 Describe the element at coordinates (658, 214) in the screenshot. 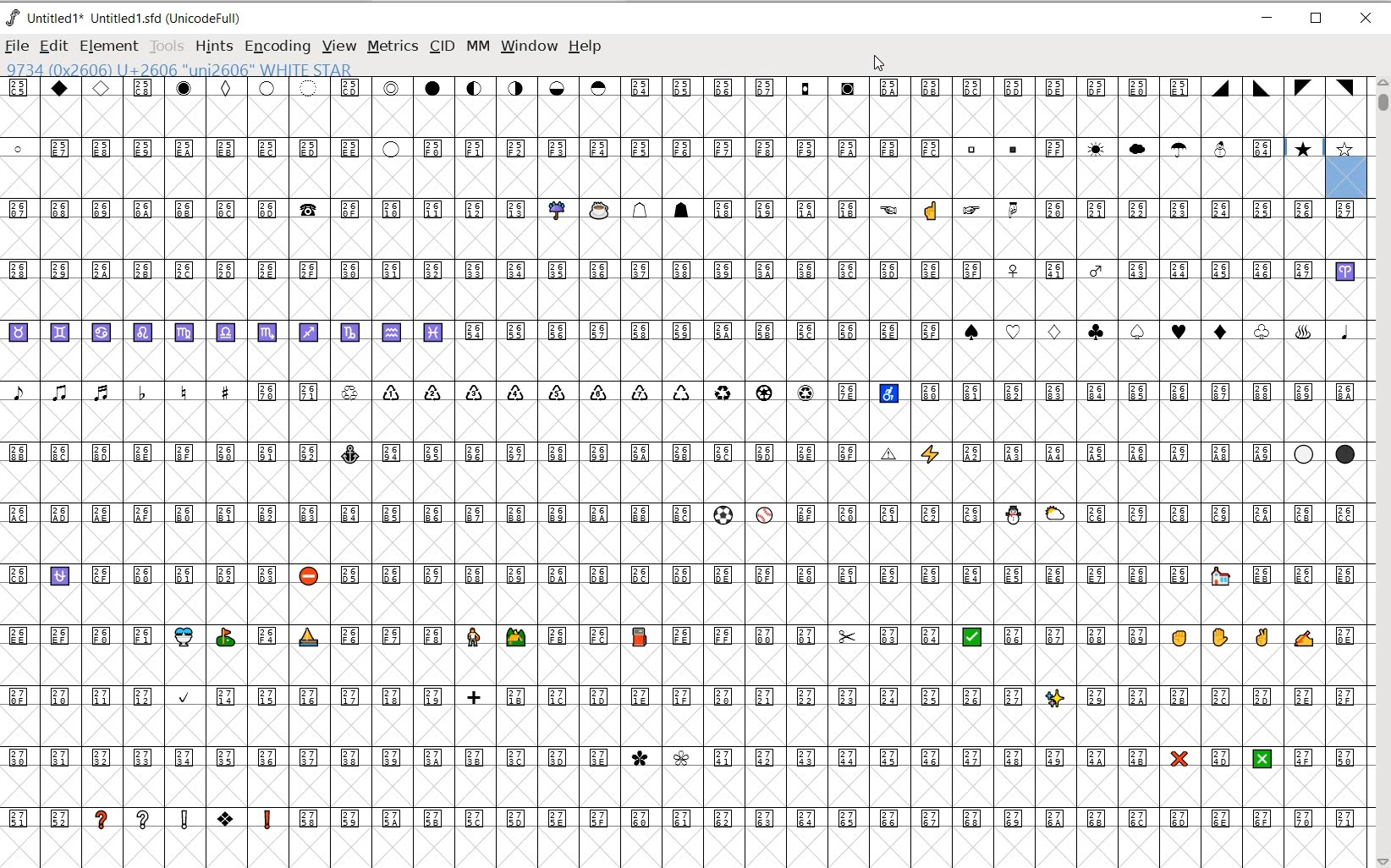

I see `GLYPHY CHARACTERS & NUMBERS` at that location.